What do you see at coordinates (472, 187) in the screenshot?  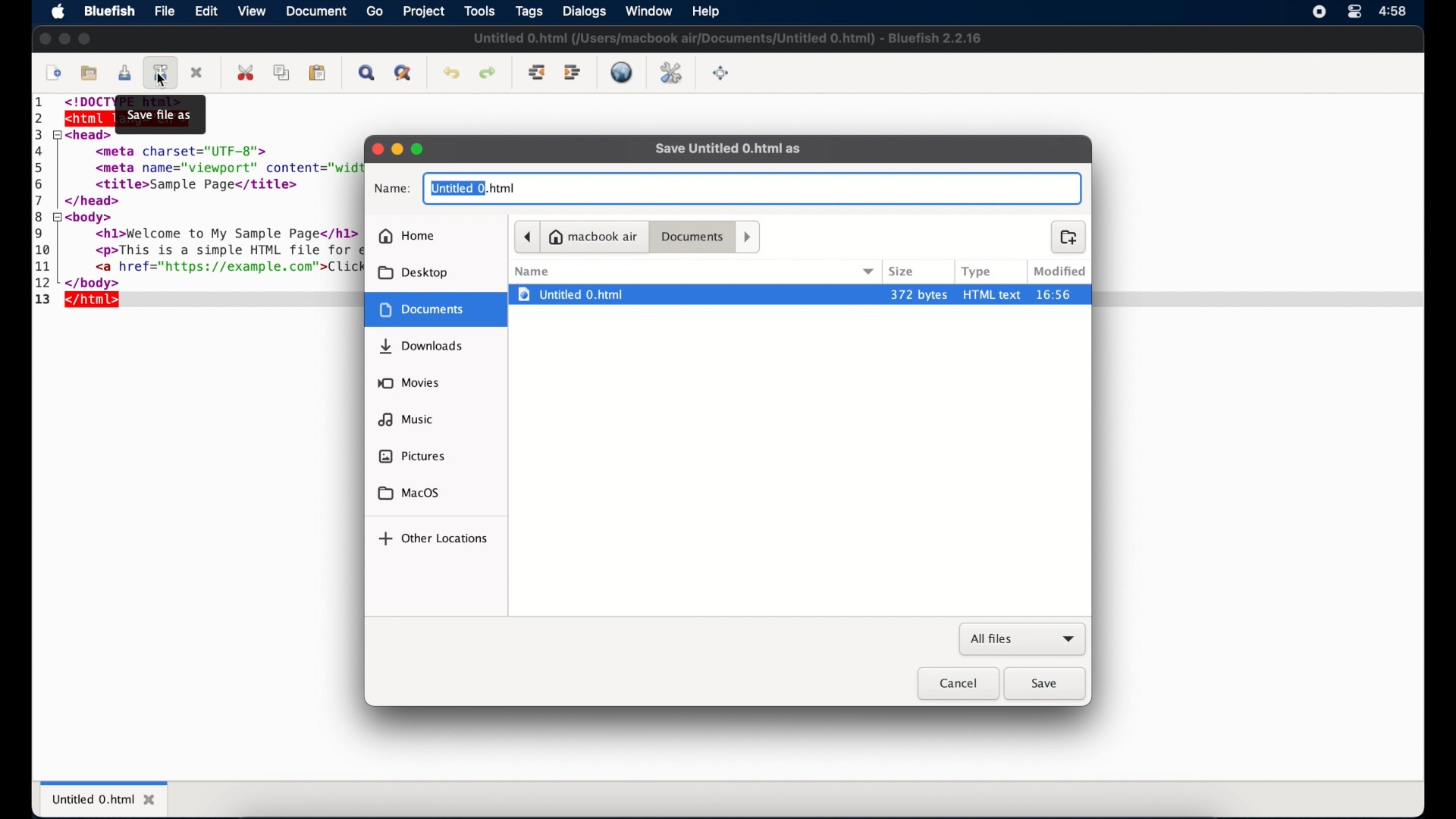 I see `untitled 0.html` at bounding box center [472, 187].